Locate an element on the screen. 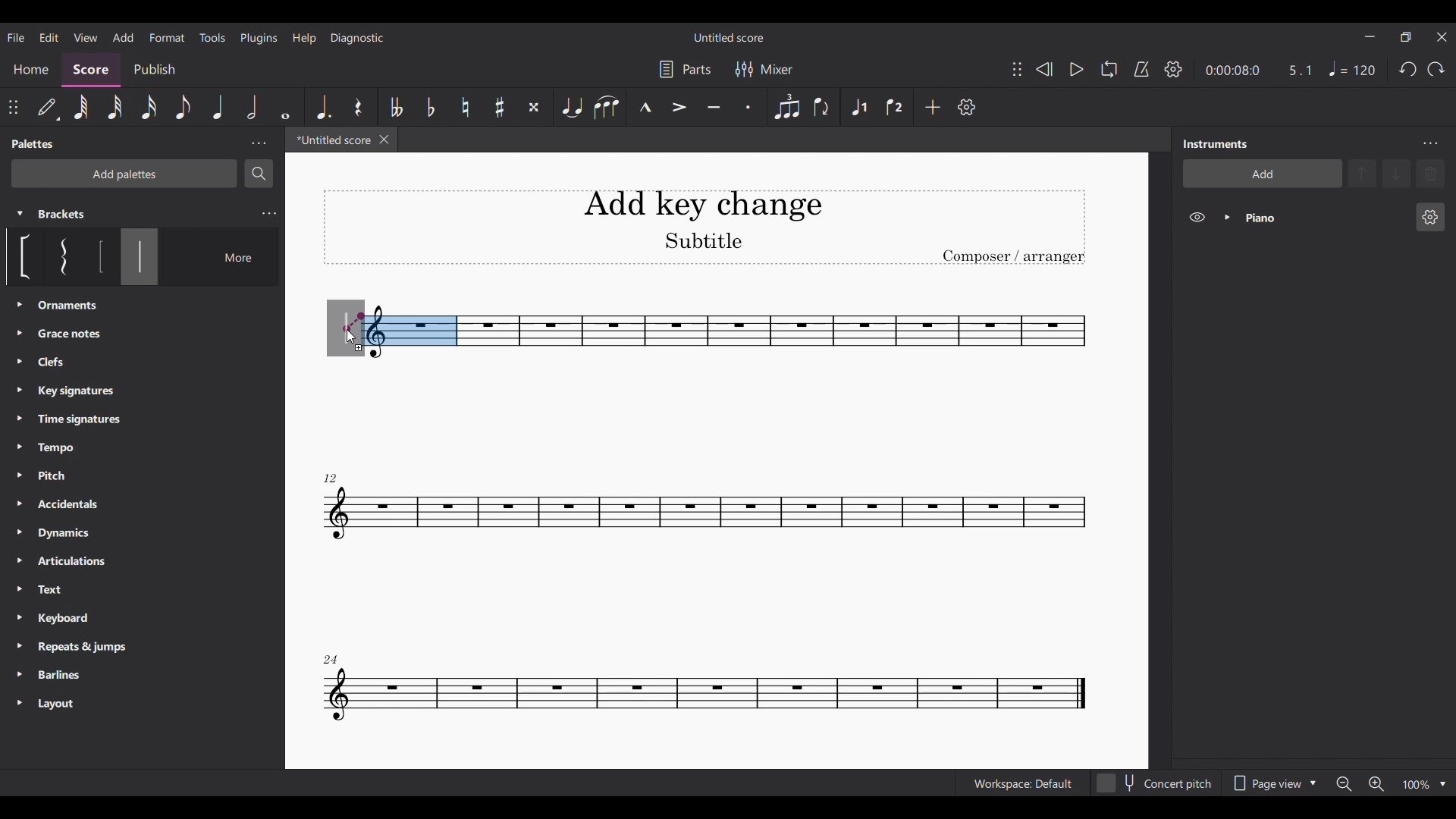  Palettes title is located at coordinates (35, 143).